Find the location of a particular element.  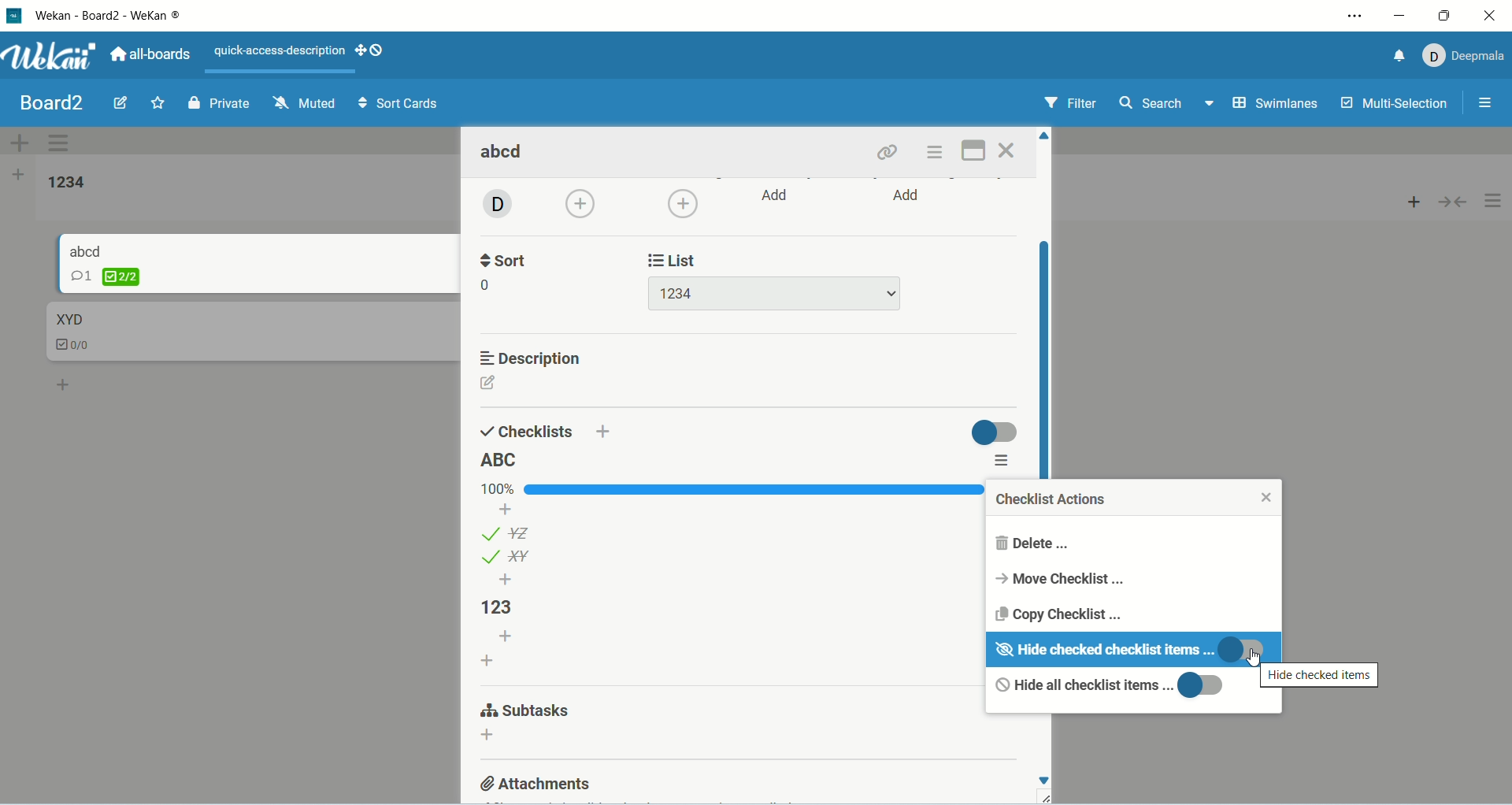

wekan-wekan is located at coordinates (108, 17).